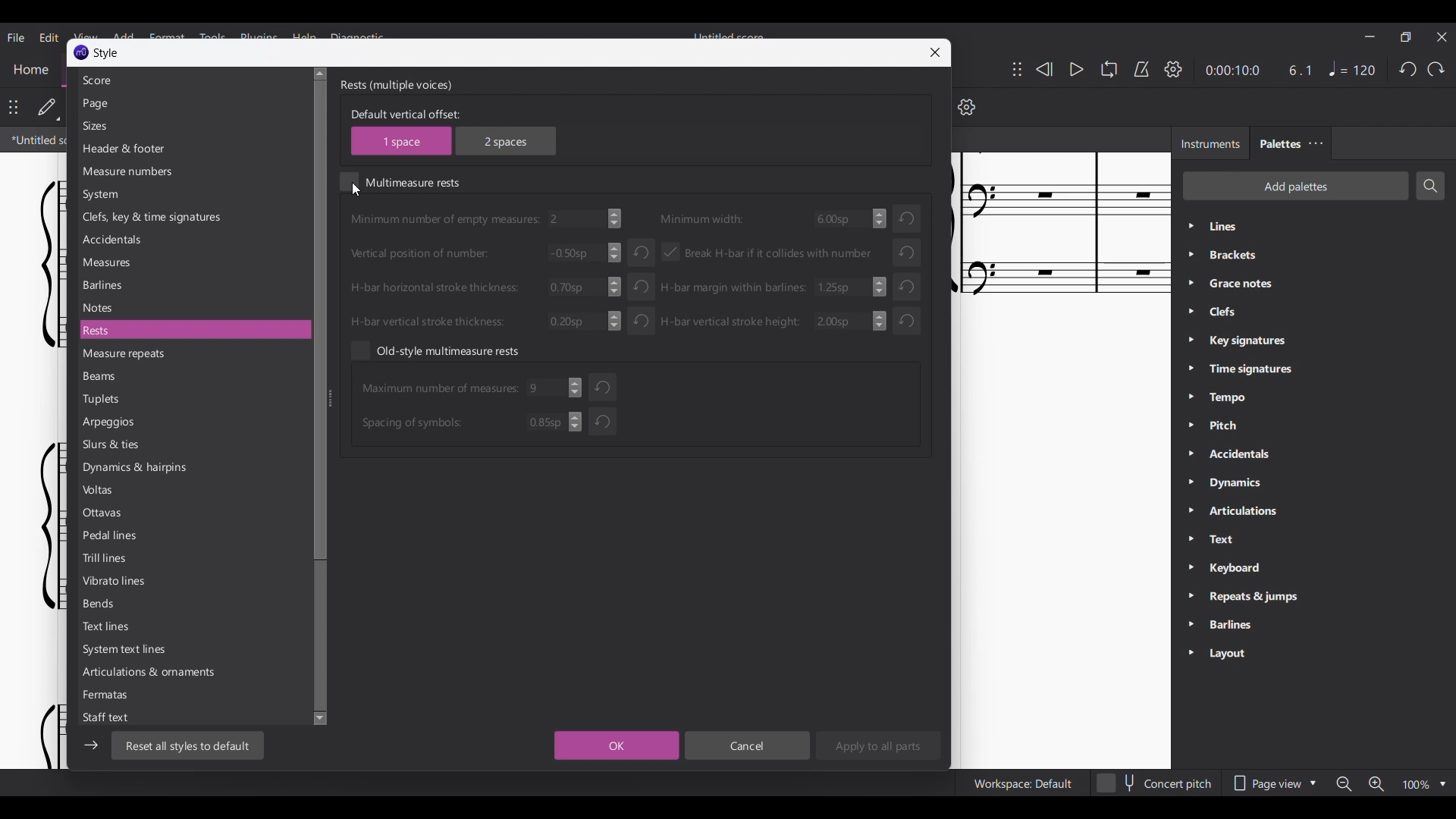 The image size is (1456, 819). I want to click on Apply to all parts, so click(879, 745).